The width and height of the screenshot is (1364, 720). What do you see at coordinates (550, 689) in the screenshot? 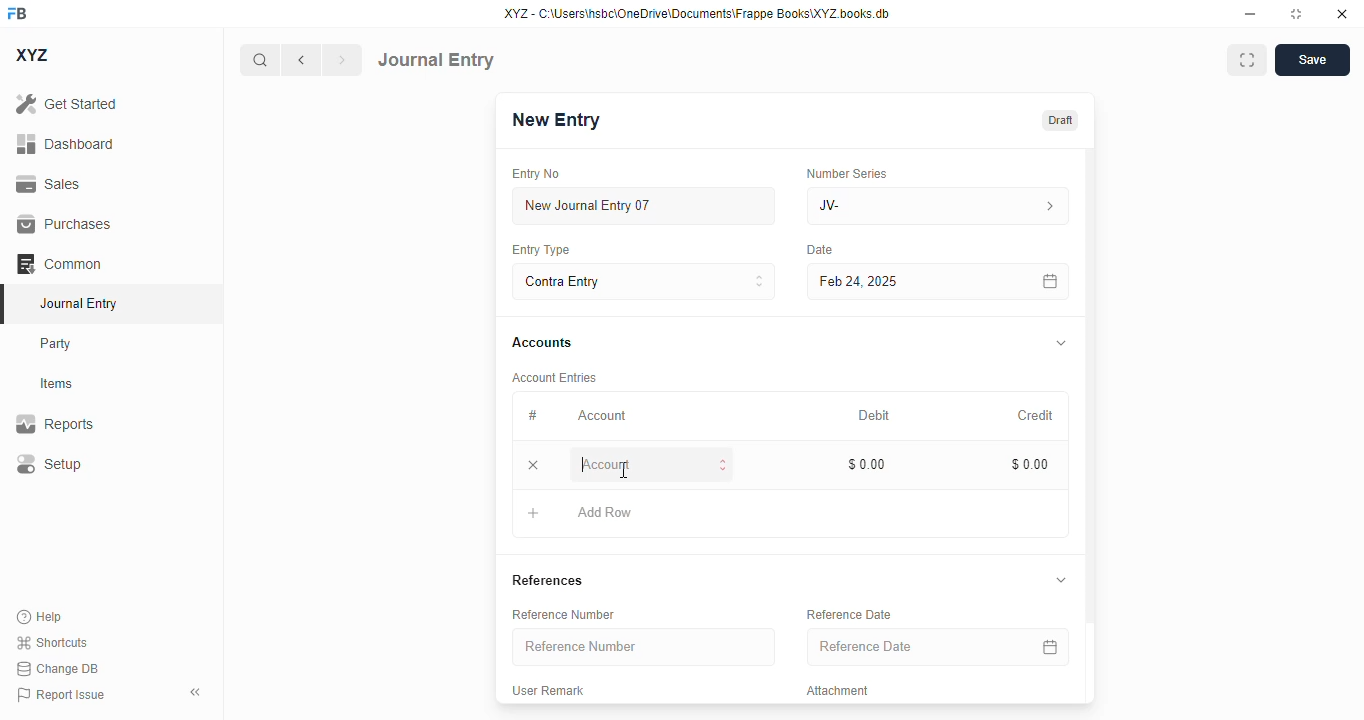
I see `user remark` at bounding box center [550, 689].